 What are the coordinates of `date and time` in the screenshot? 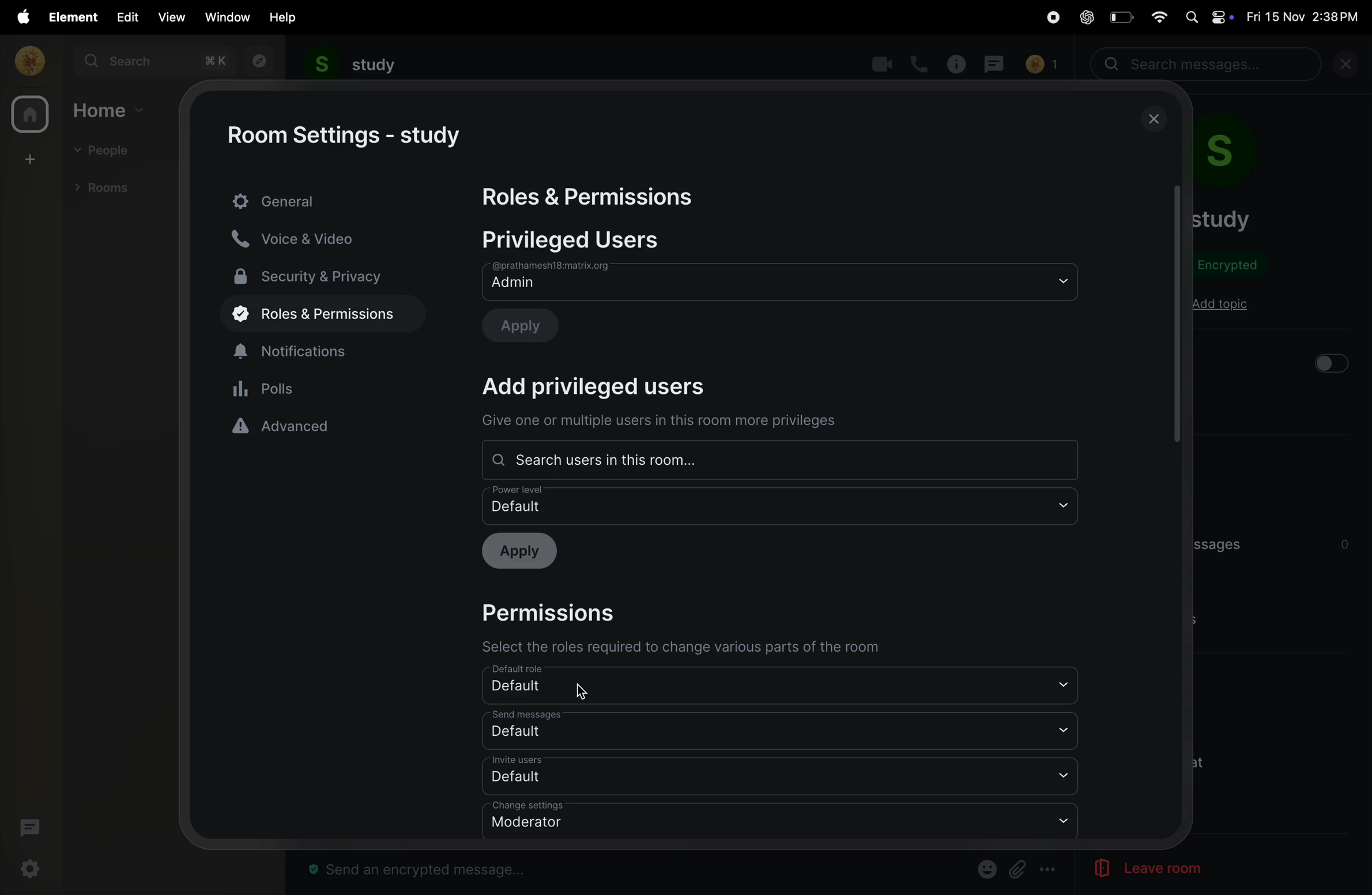 It's located at (1306, 17).